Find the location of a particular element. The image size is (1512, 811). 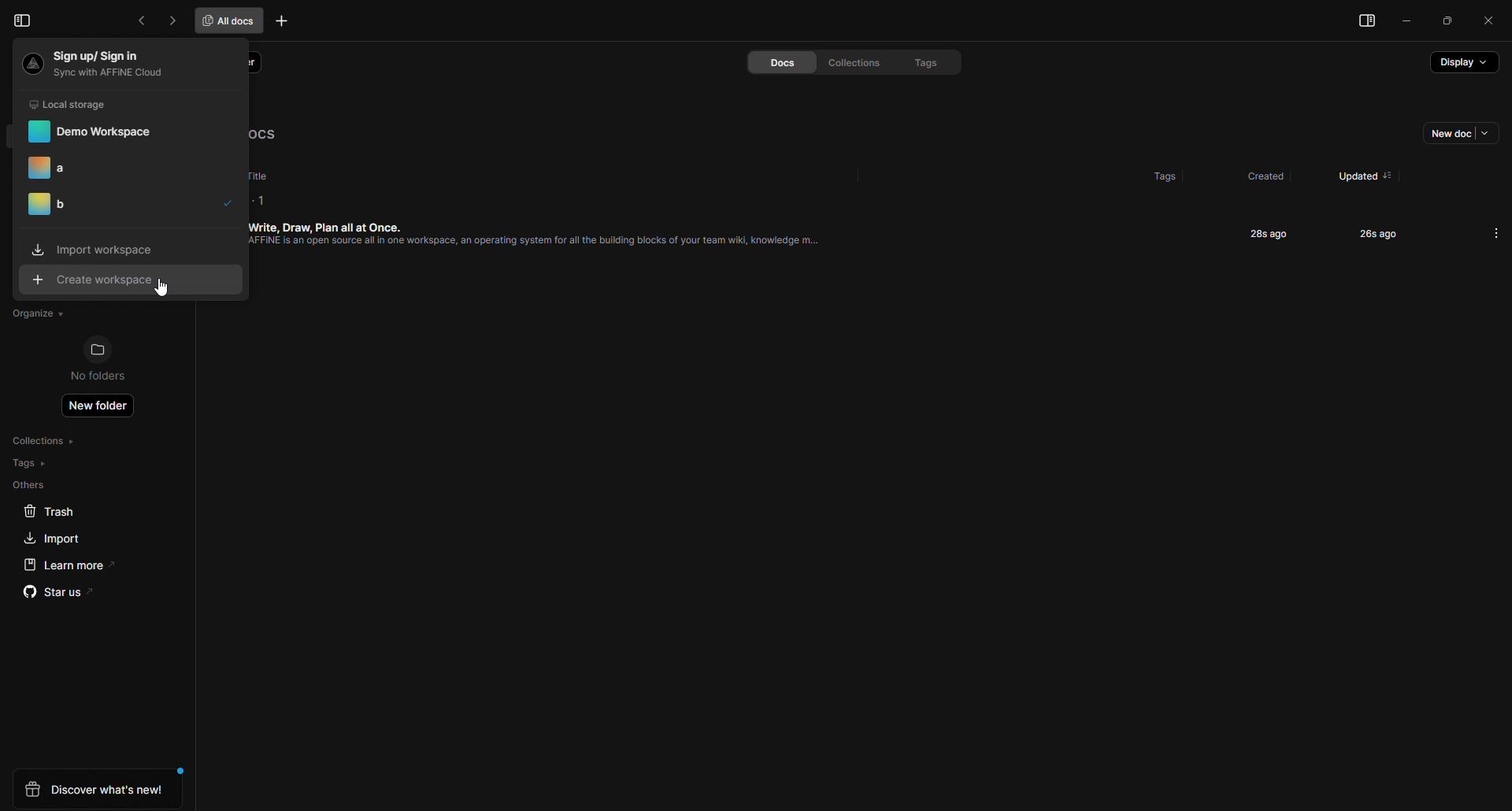

updated is located at coordinates (1352, 170).